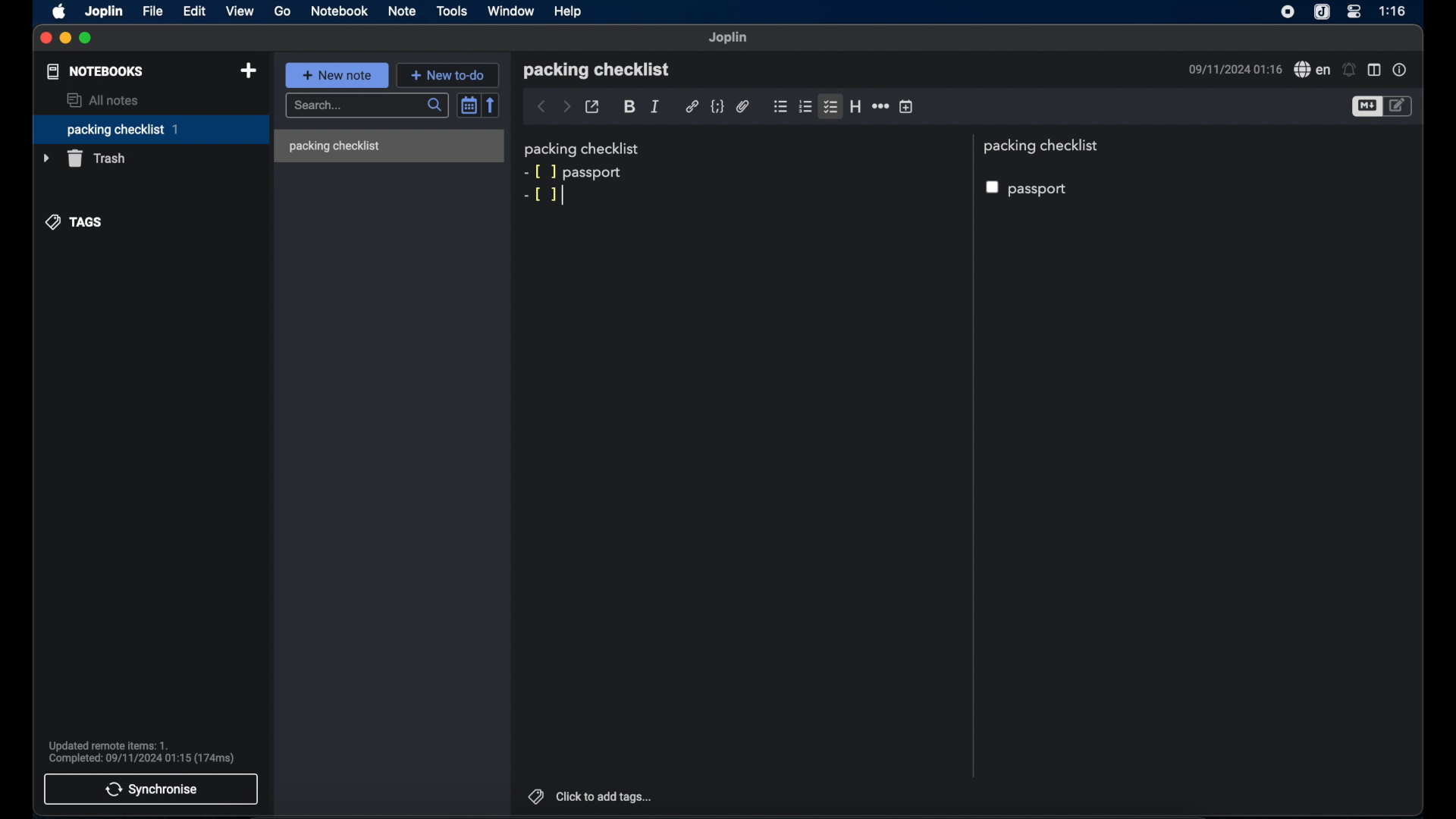  What do you see at coordinates (195, 11) in the screenshot?
I see `edit` at bounding box center [195, 11].